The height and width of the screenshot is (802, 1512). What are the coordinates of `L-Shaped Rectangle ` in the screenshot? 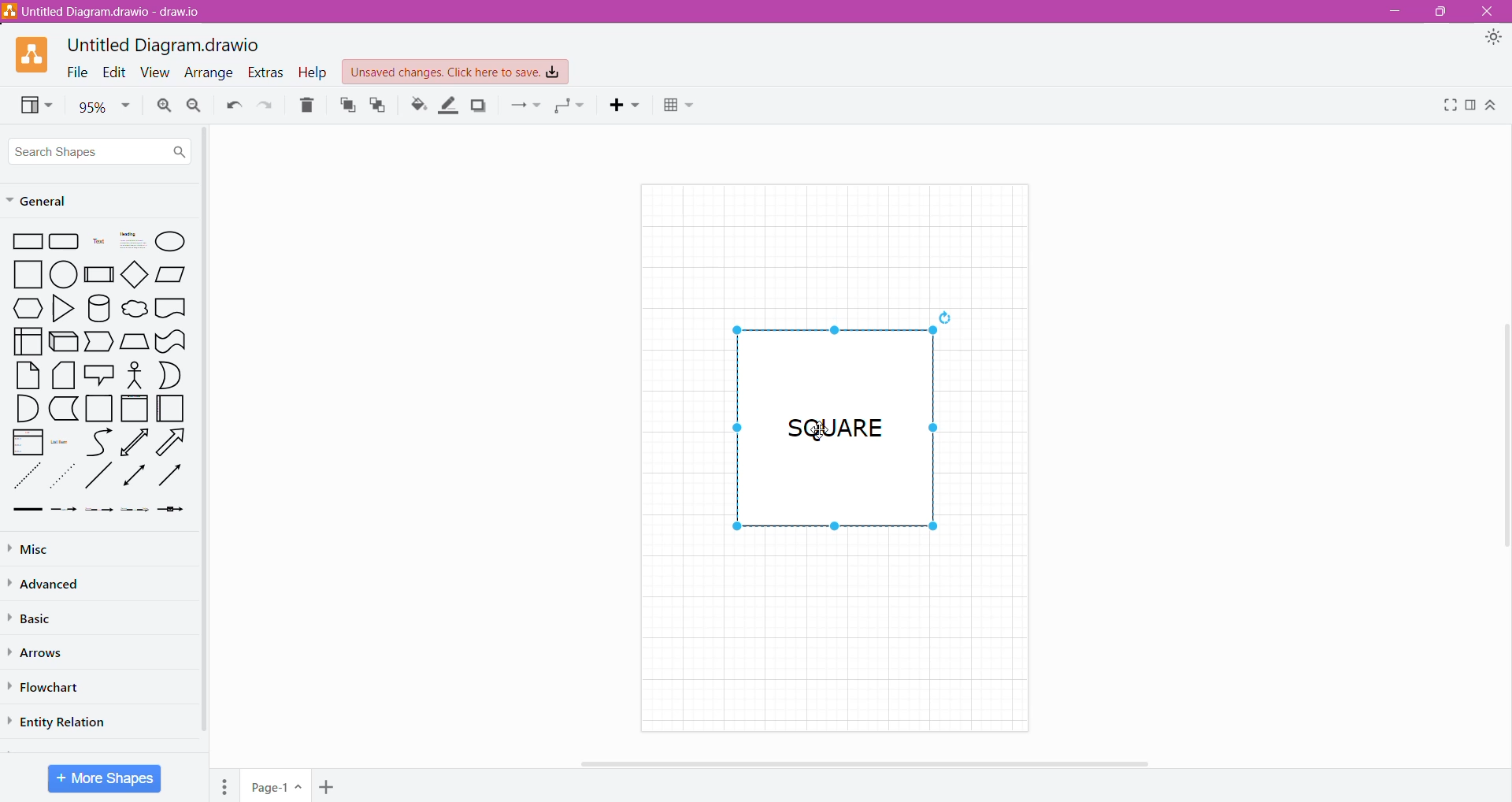 It's located at (62, 410).